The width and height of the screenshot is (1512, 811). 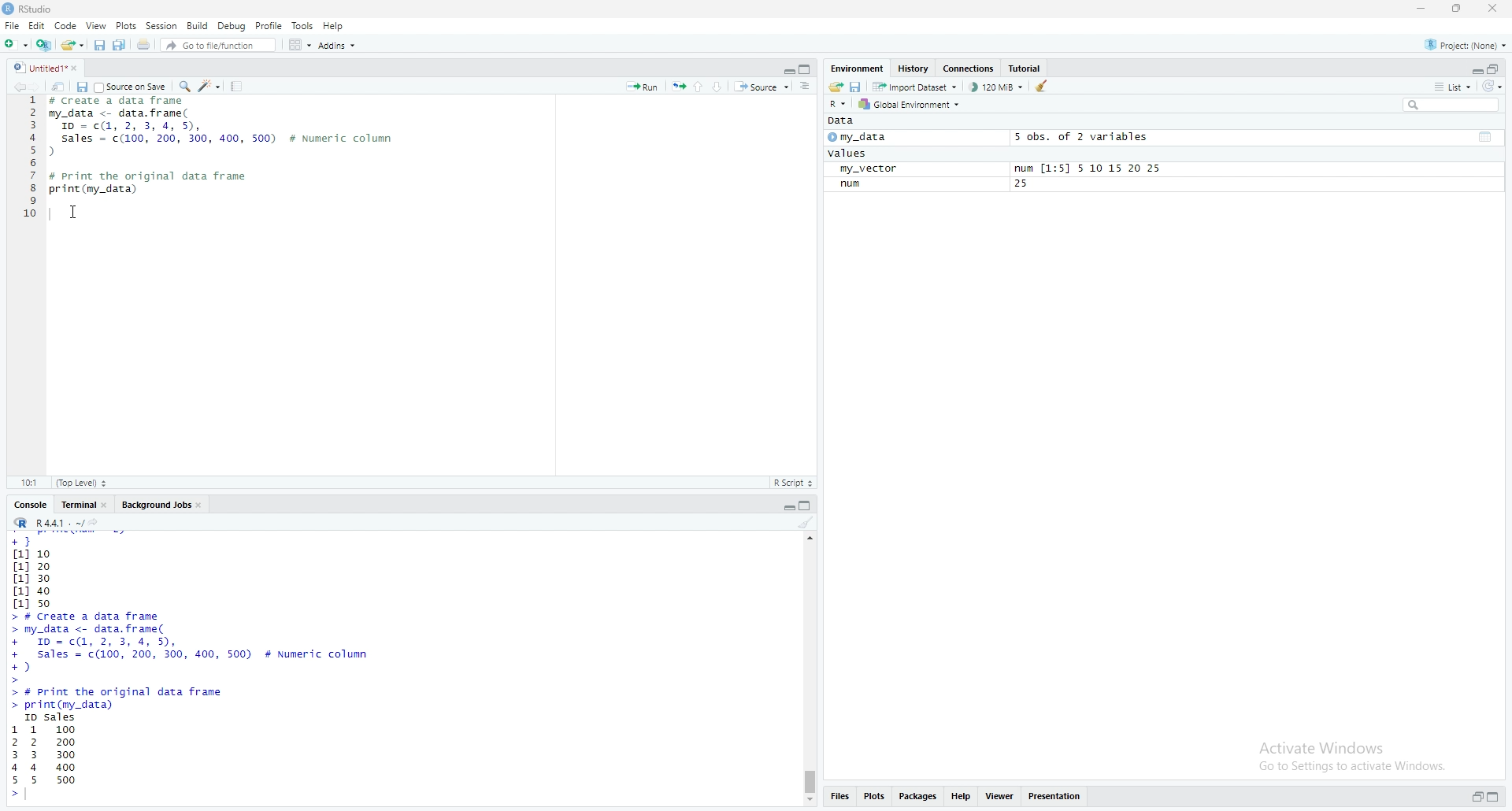 What do you see at coordinates (805, 523) in the screenshot?
I see `clear console` at bounding box center [805, 523].